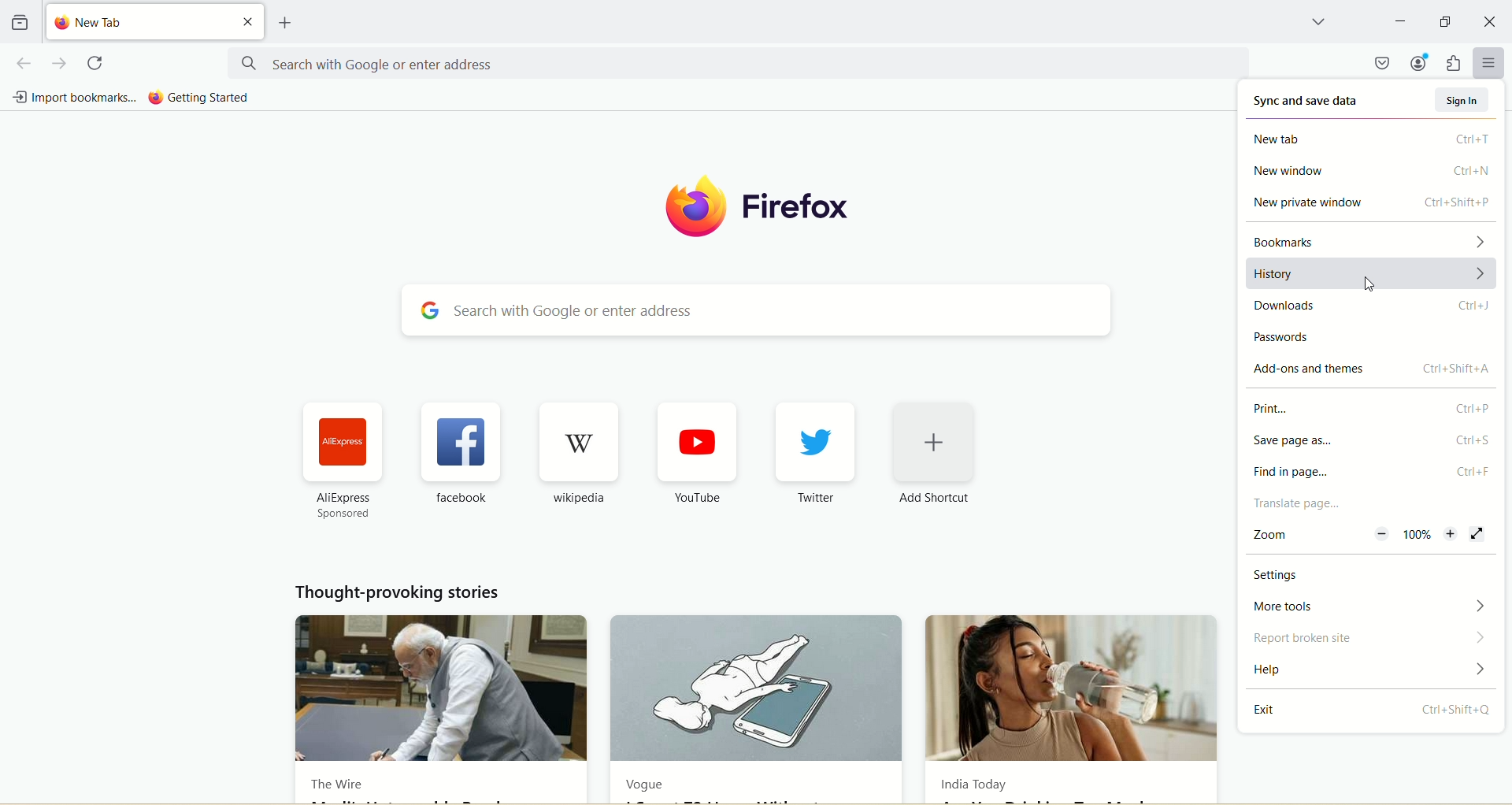 This screenshot has height=805, width=1512. I want to click on twitter, so click(815, 440).